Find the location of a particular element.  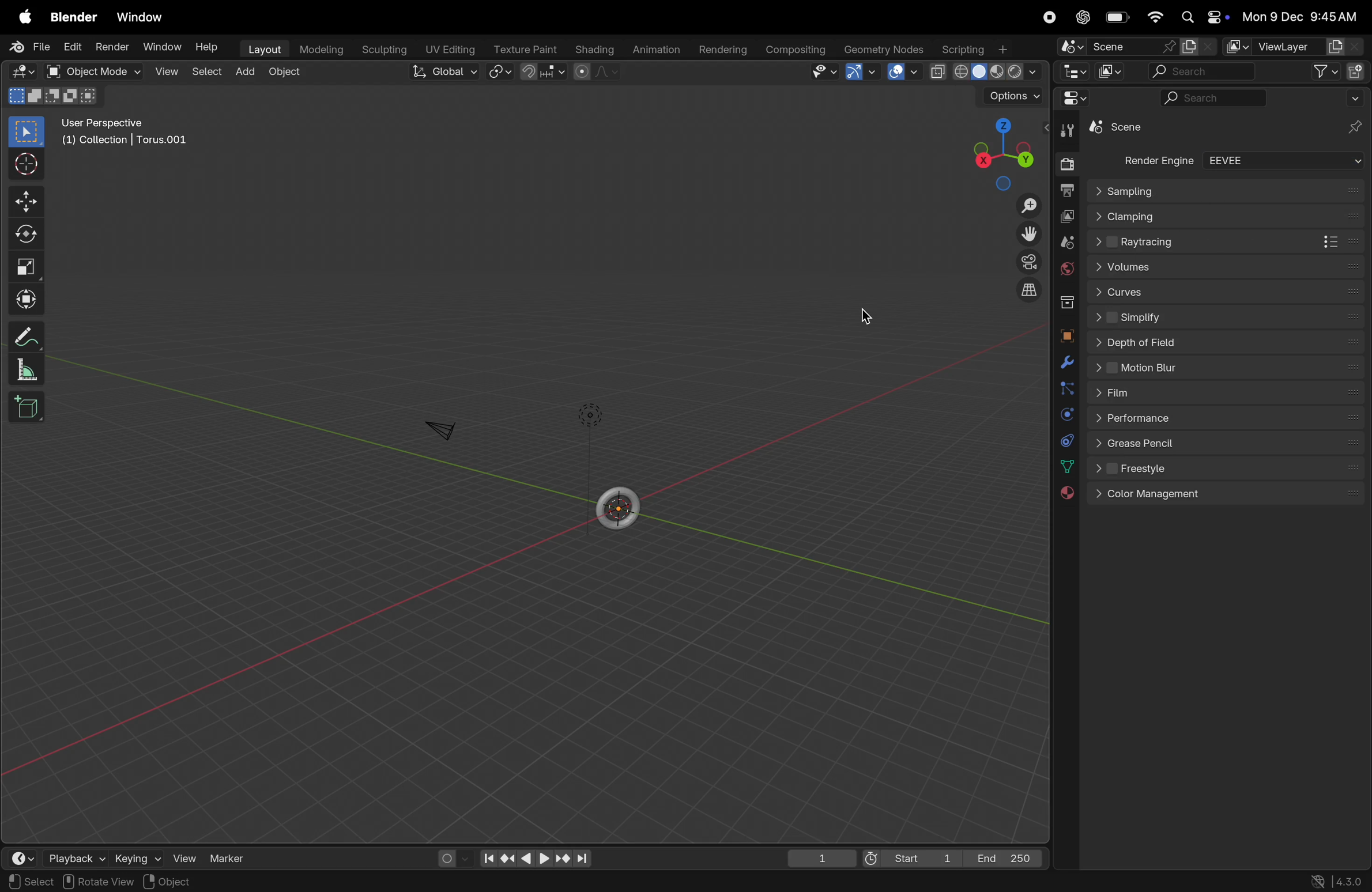

battery is located at coordinates (1118, 17).